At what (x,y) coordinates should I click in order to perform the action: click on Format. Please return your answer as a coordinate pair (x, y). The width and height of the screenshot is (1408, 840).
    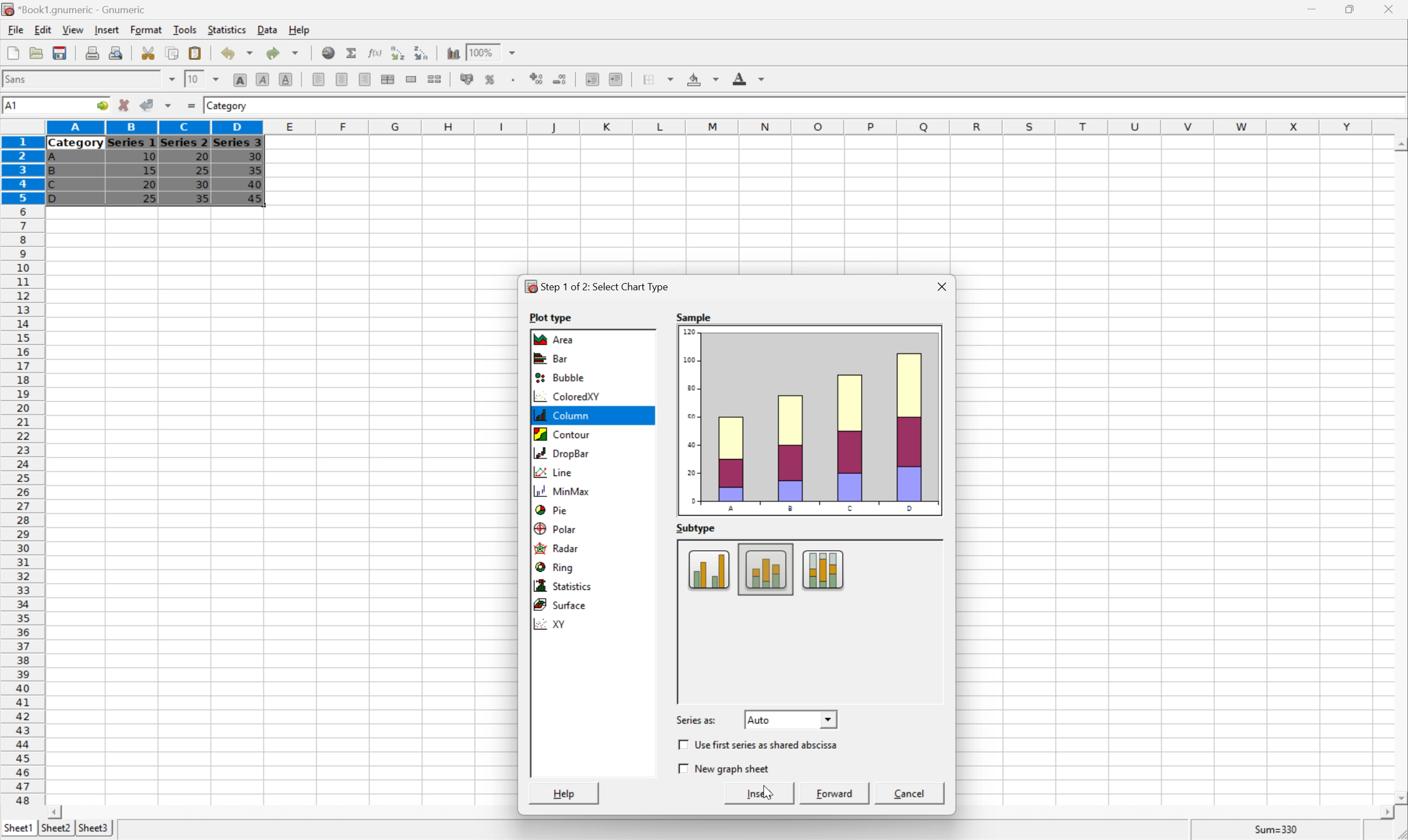
    Looking at the image, I should click on (146, 29).